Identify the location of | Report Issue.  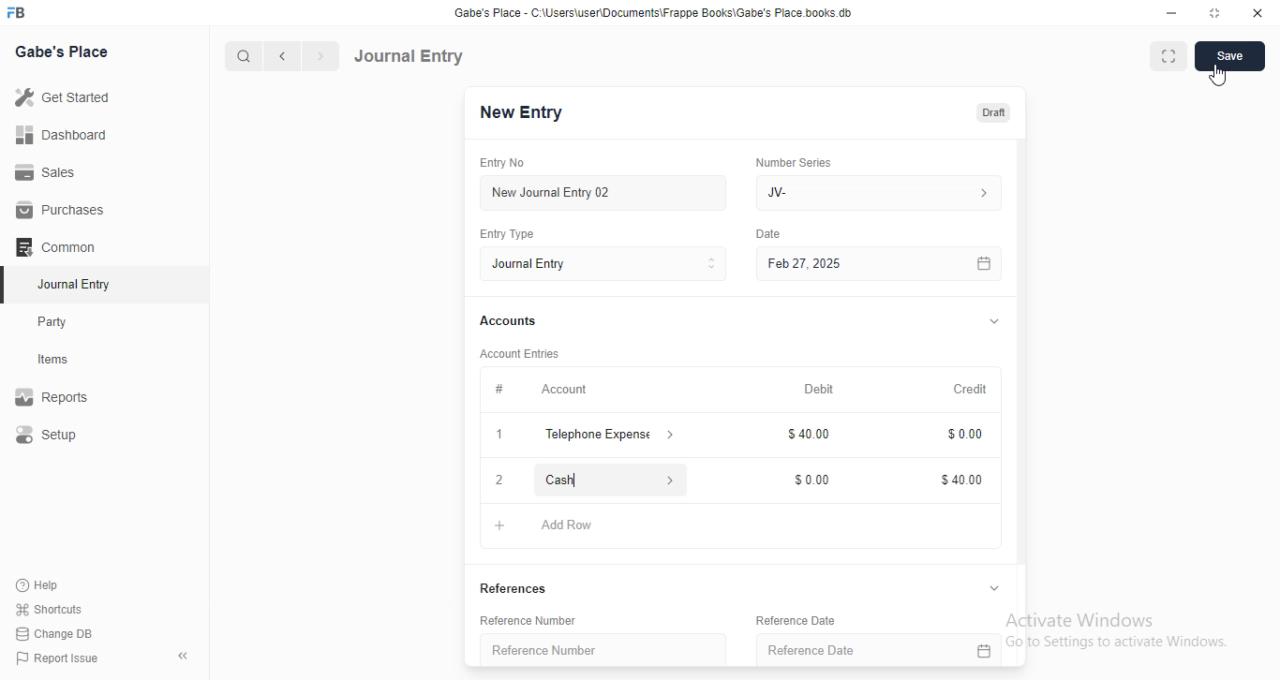
(59, 658).